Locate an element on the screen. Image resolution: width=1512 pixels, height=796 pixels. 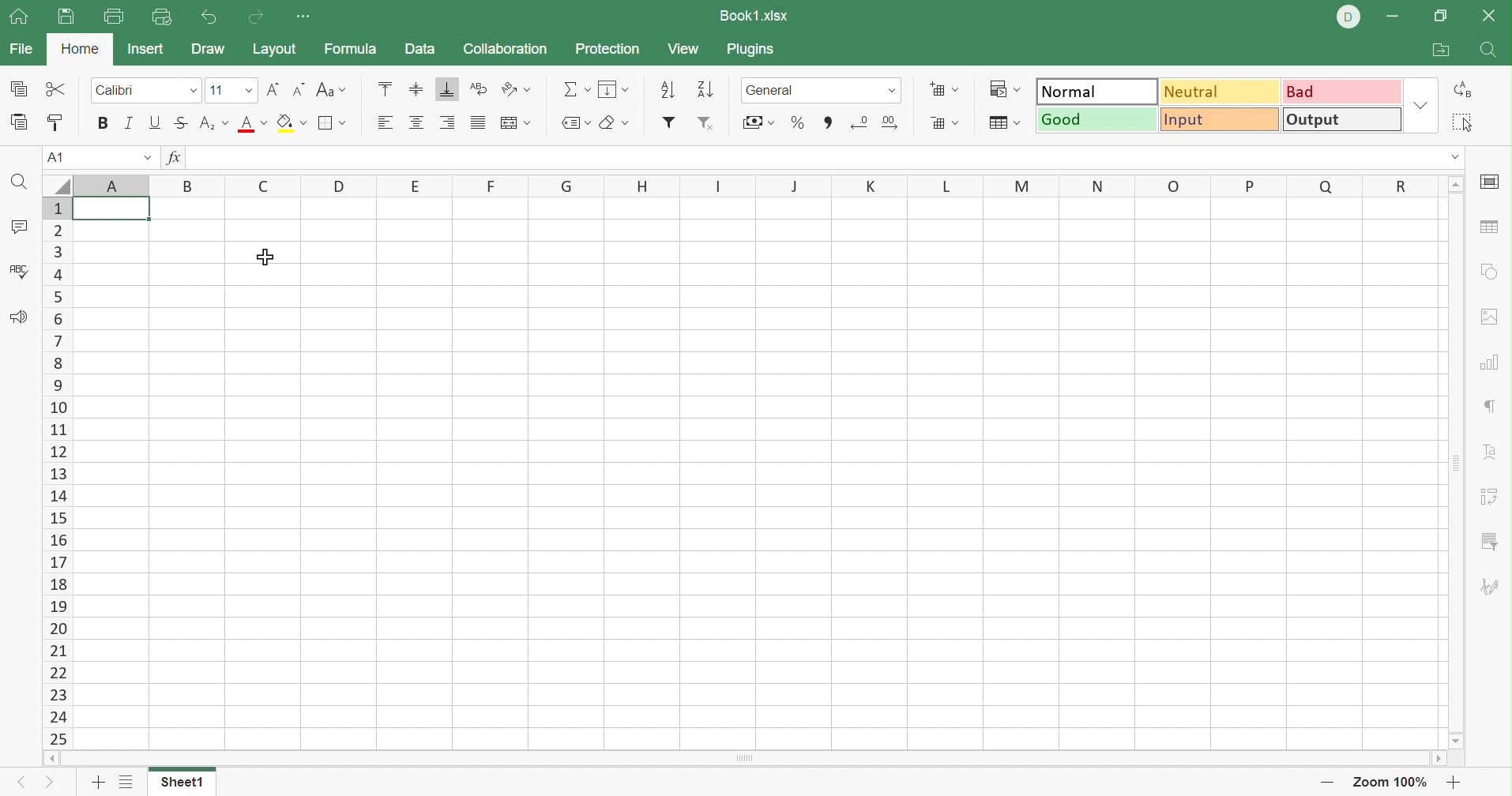
Align left is located at coordinates (385, 122).